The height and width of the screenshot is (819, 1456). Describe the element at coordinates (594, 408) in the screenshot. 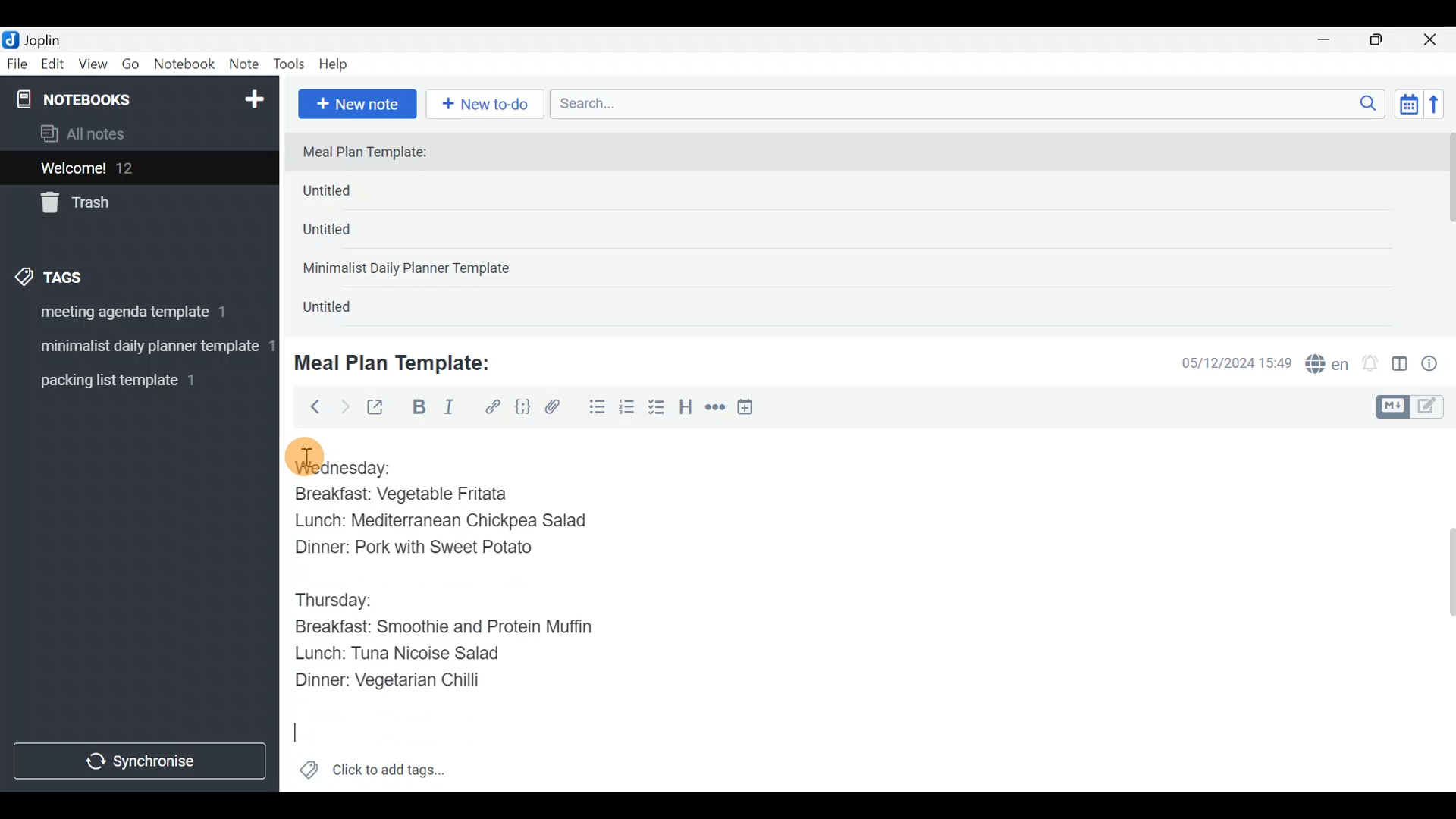

I see `Bulleted list` at that location.